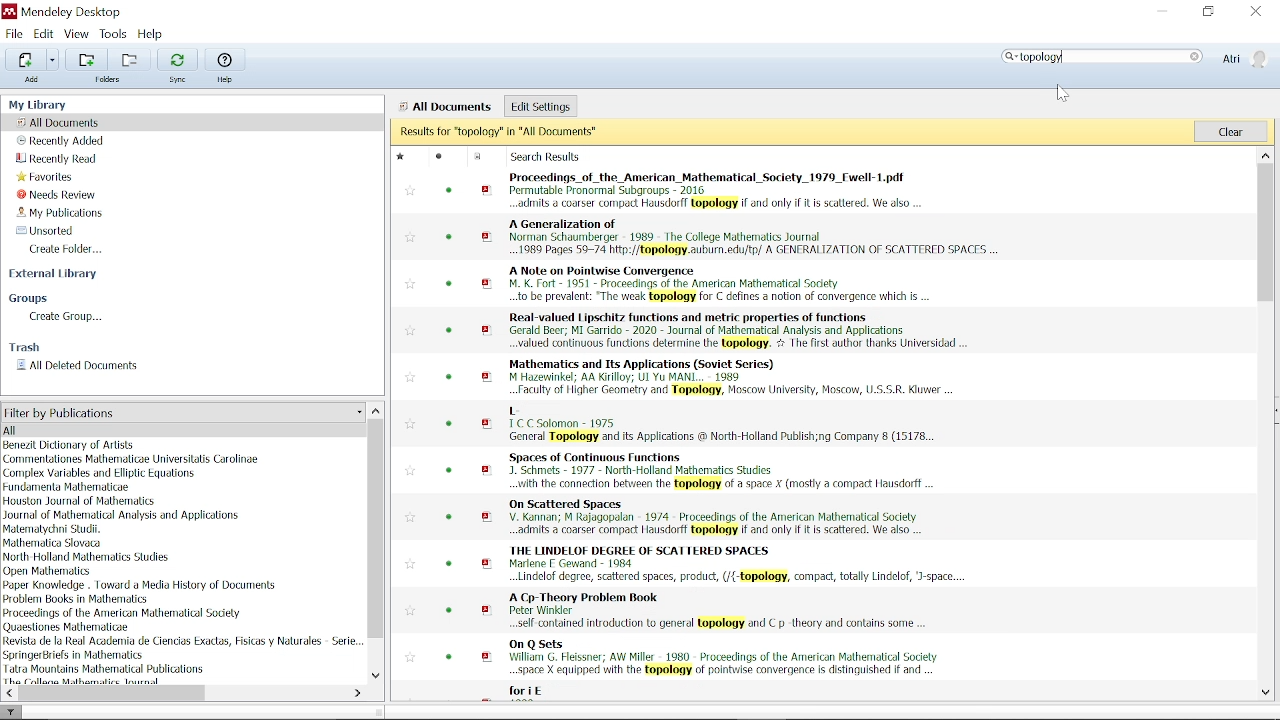  Describe the element at coordinates (487, 237) in the screenshot. I see `pdf` at that location.